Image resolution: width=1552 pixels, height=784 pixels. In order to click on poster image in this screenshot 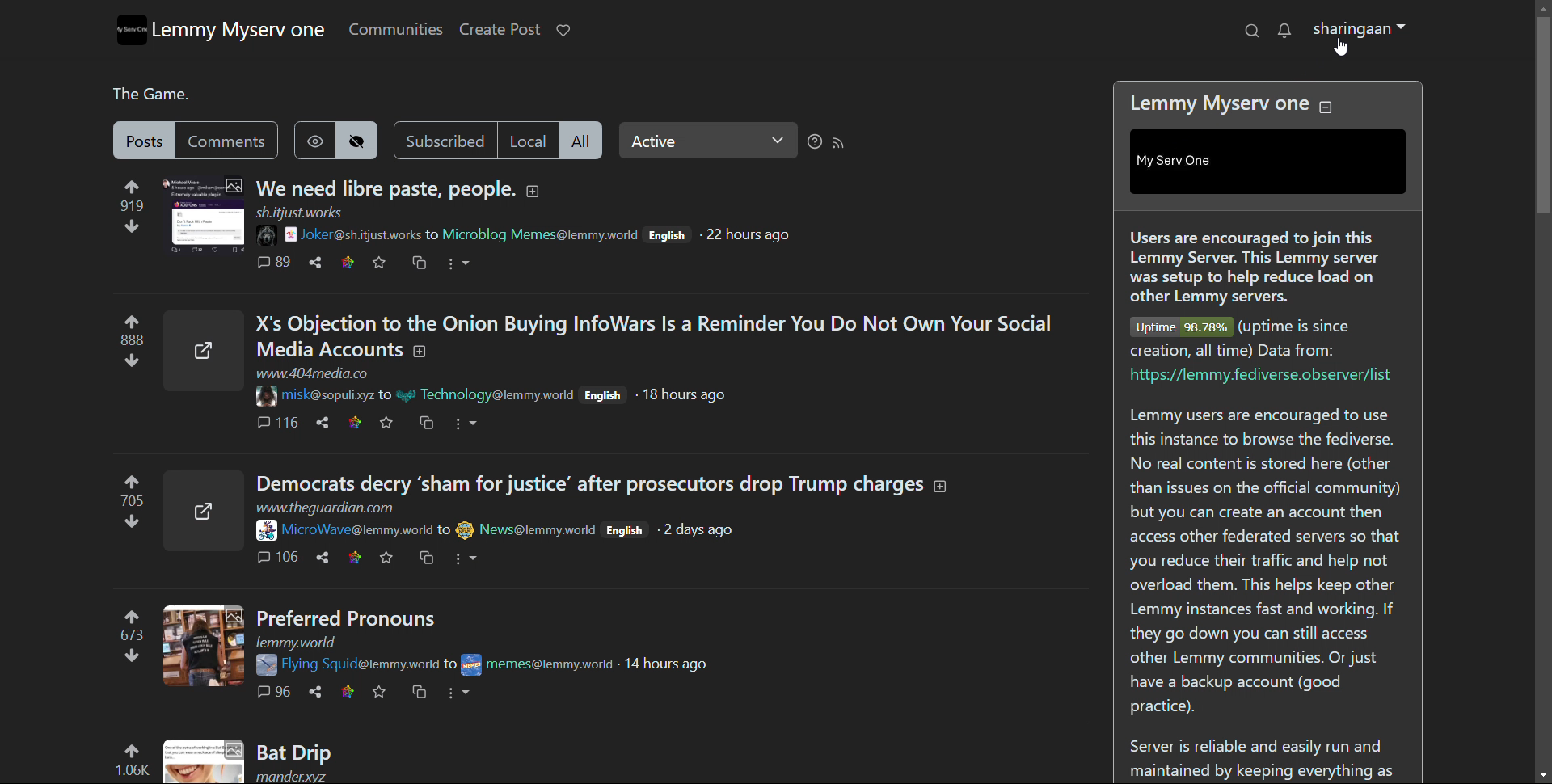, I will do `click(265, 664)`.